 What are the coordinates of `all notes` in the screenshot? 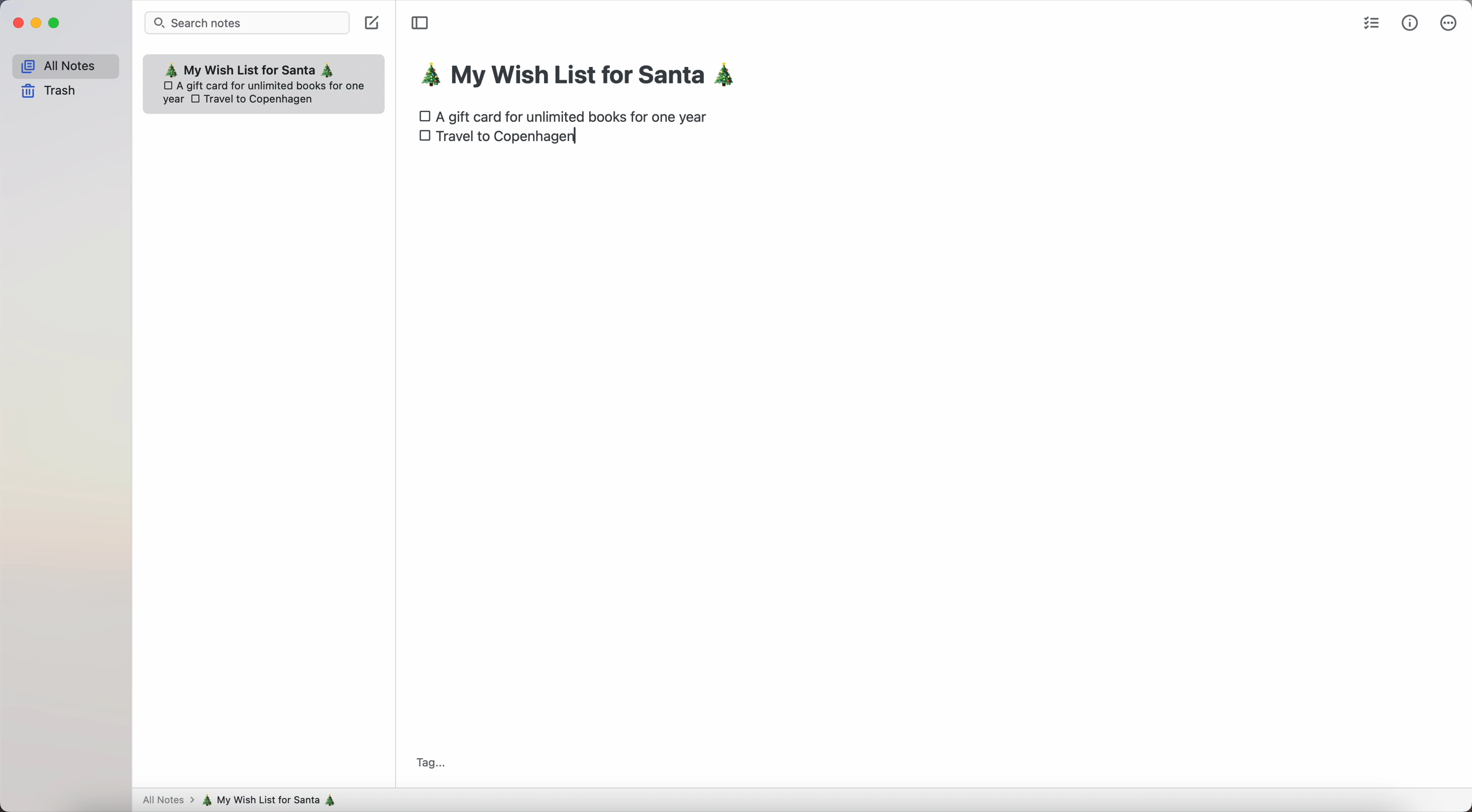 It's located at (65, 64).